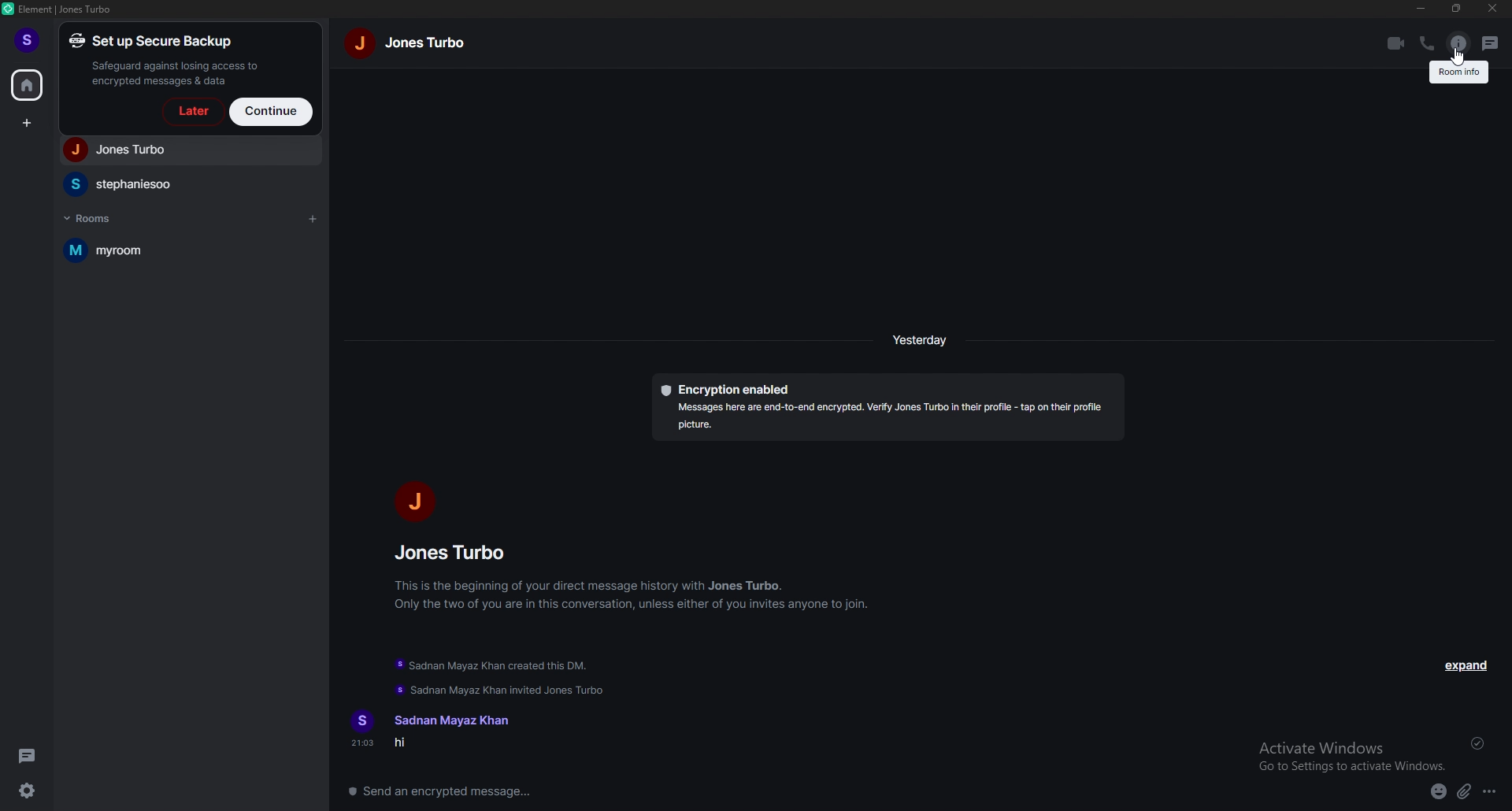 The height and width of the screenshot is (811, 1512). Describe the element at coordinates (312, 220) in the screenshot. I see `add room` at that location.